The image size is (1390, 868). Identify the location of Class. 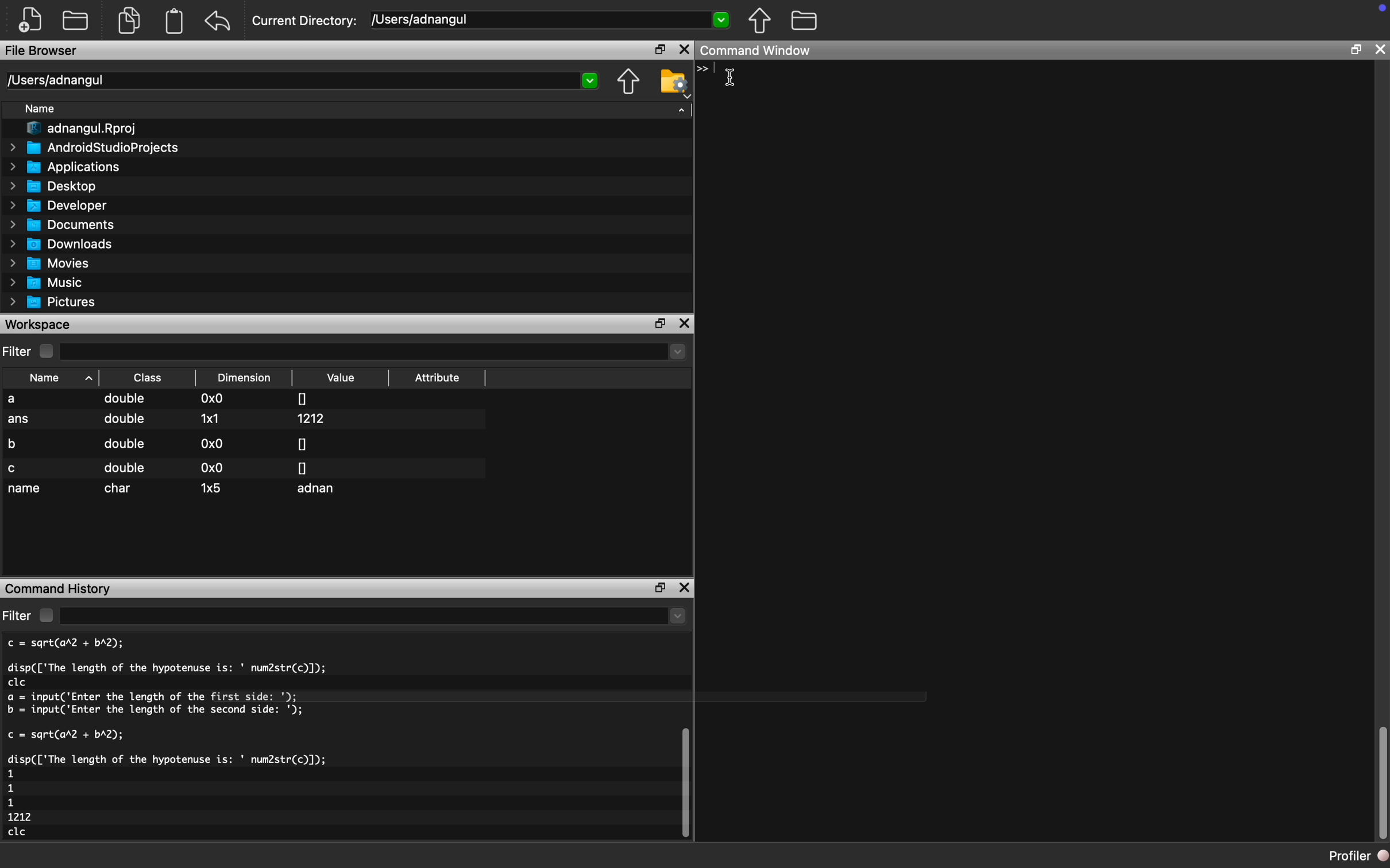
(148, 377).